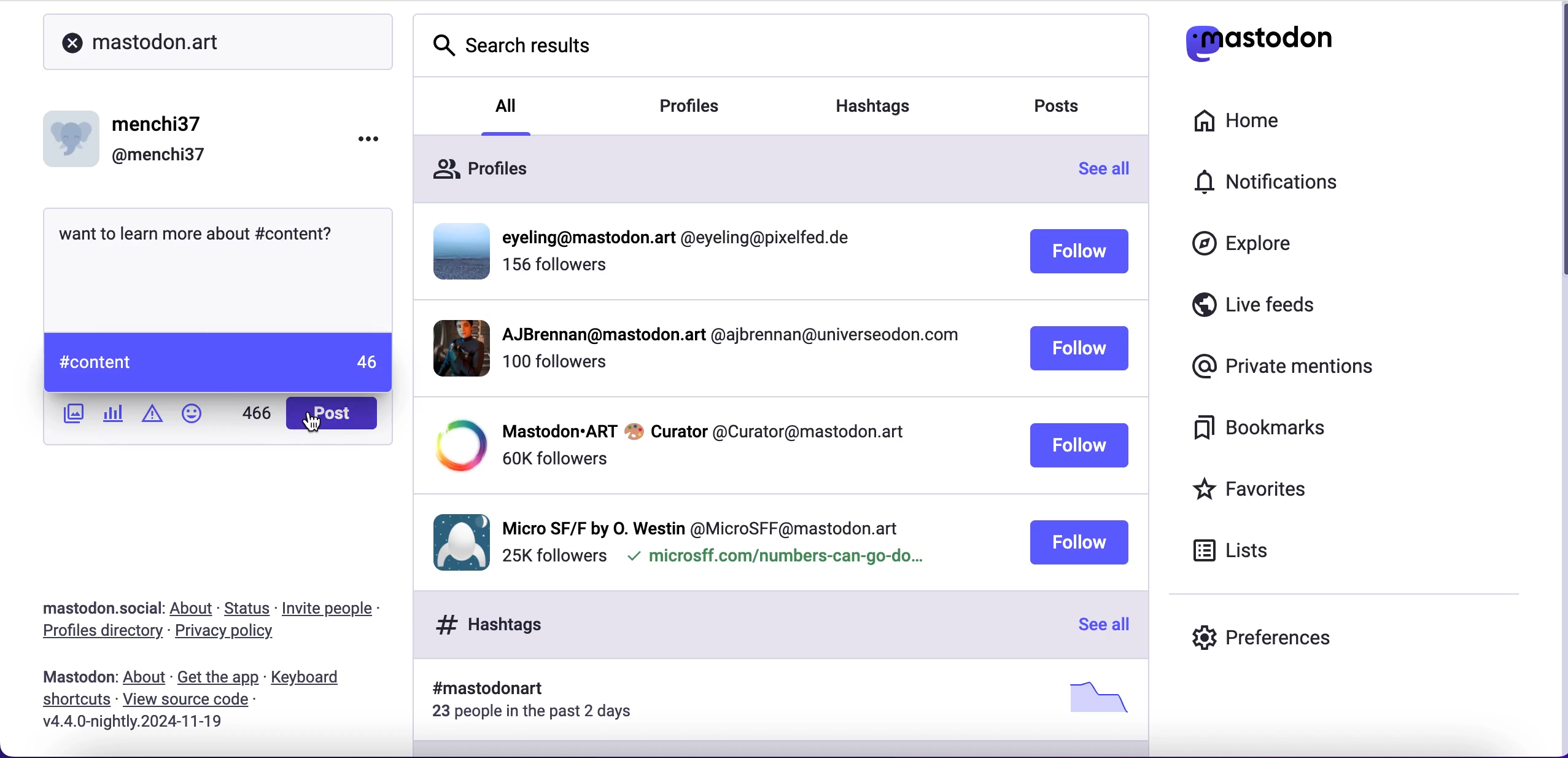  What do you see at coordinates (248, 608) in the screenshot?
I see `status` at bounding box center [248, 608].